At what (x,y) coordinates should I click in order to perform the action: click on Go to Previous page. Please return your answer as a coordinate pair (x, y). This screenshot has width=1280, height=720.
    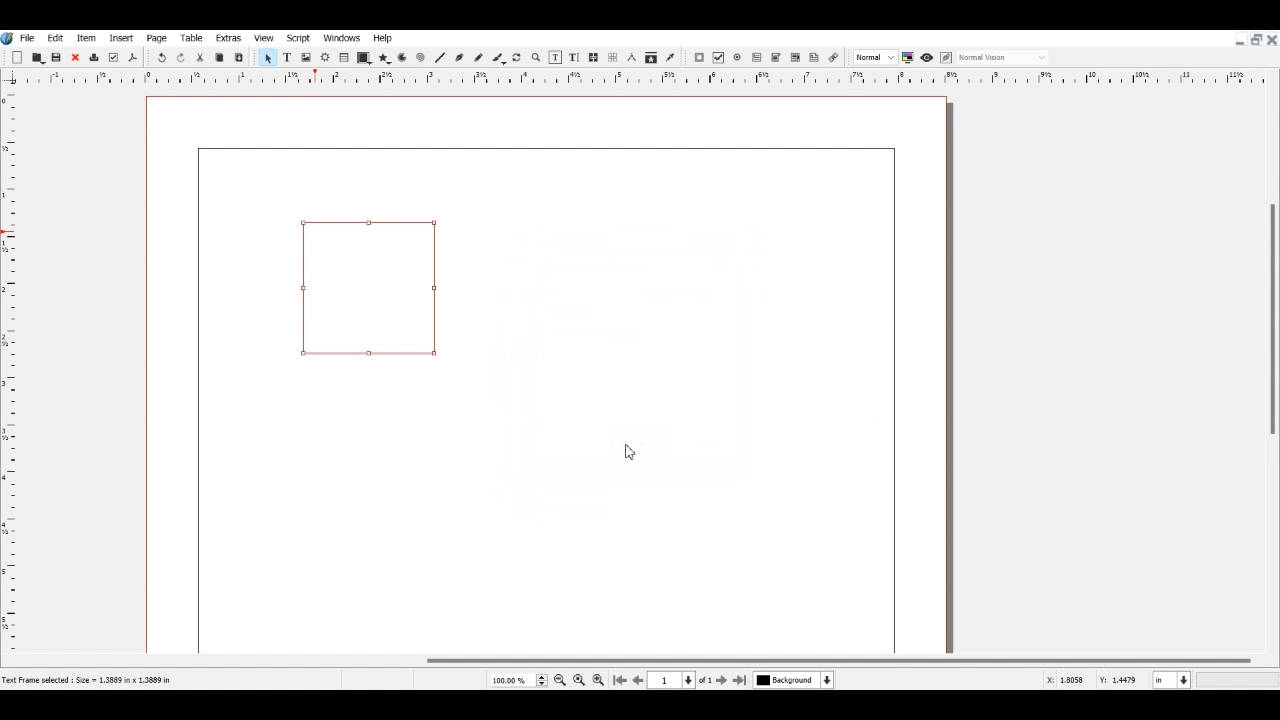
    Looking at the image, I should click on (638, 680).